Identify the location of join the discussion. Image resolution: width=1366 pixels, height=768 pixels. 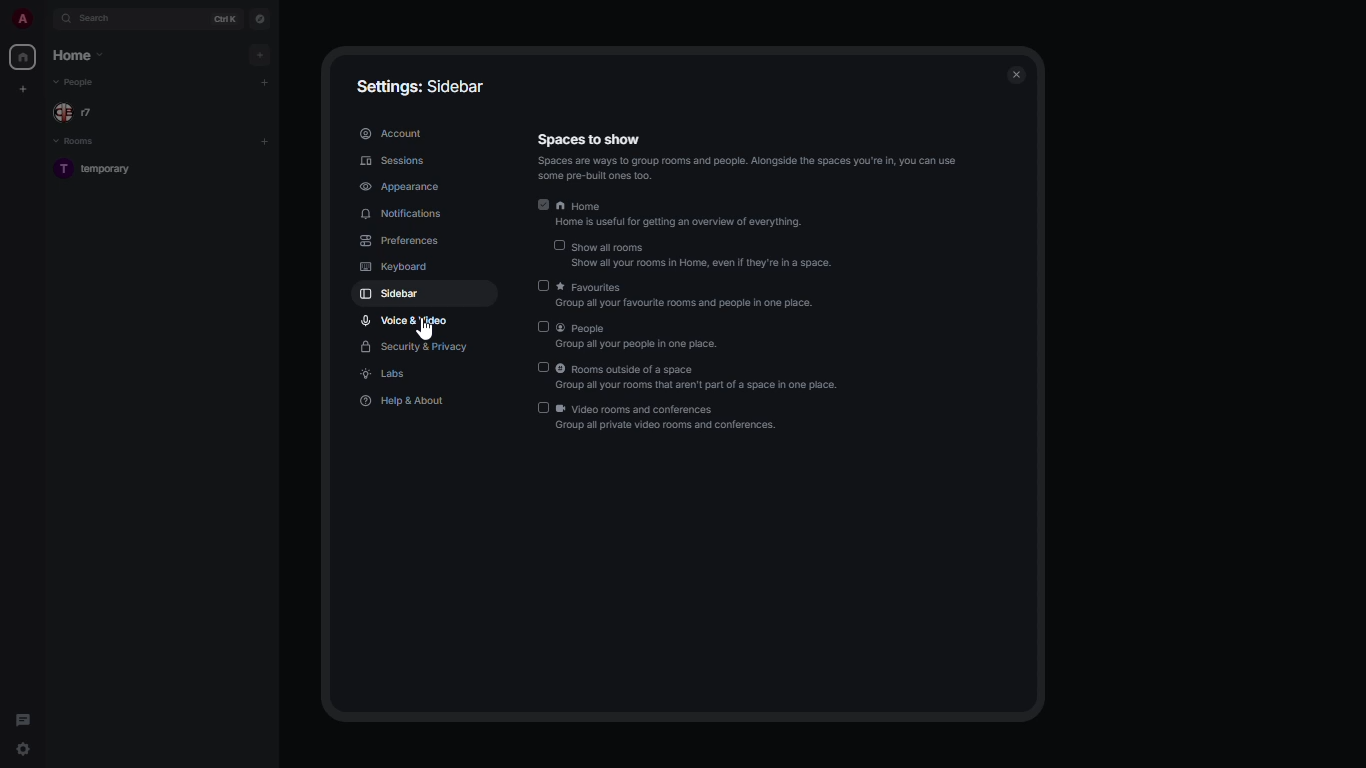
(824, 413).